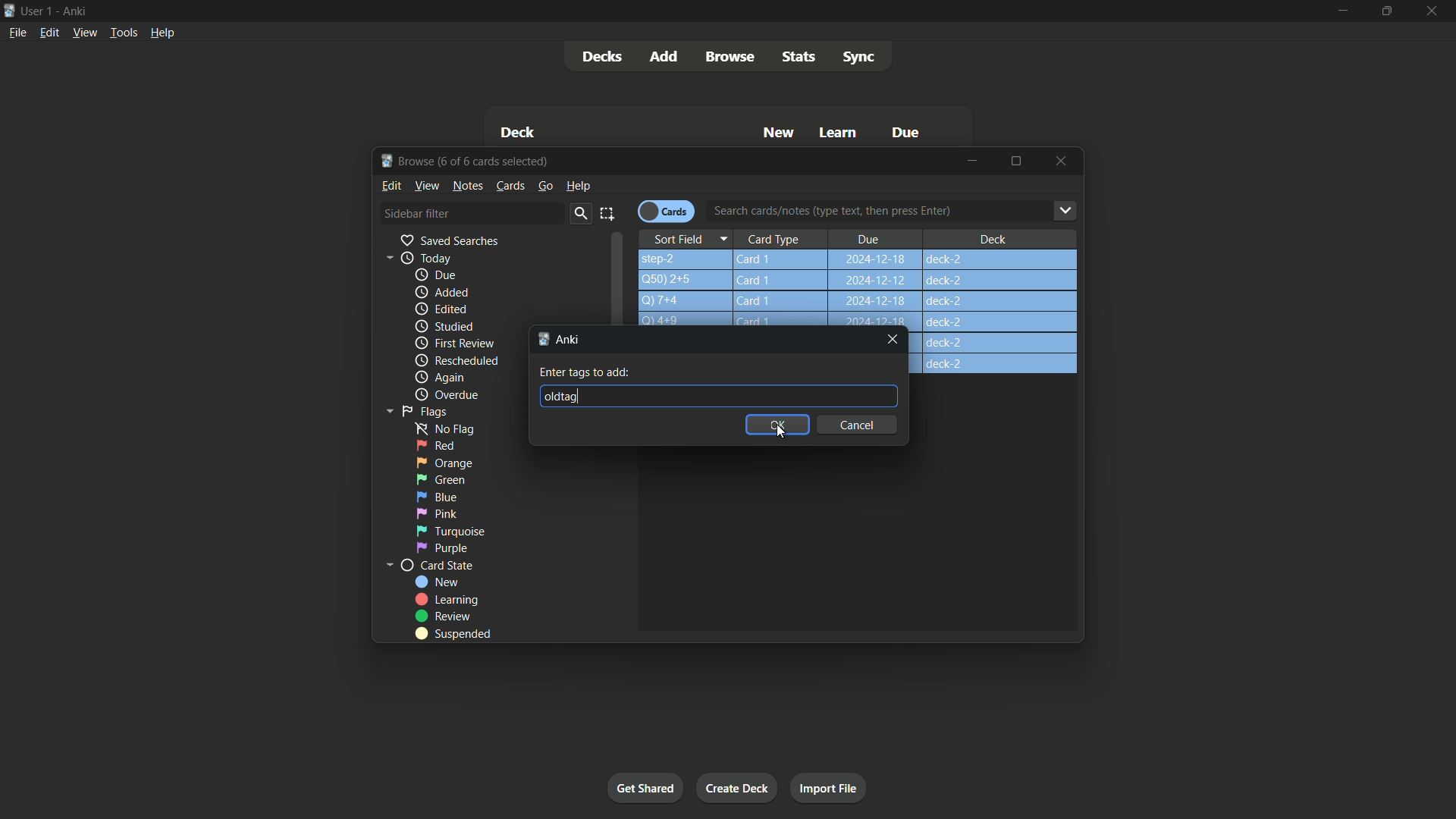  Describe the element at coordinates (408, 160) in the screenshot. I see `Browse` at that location.